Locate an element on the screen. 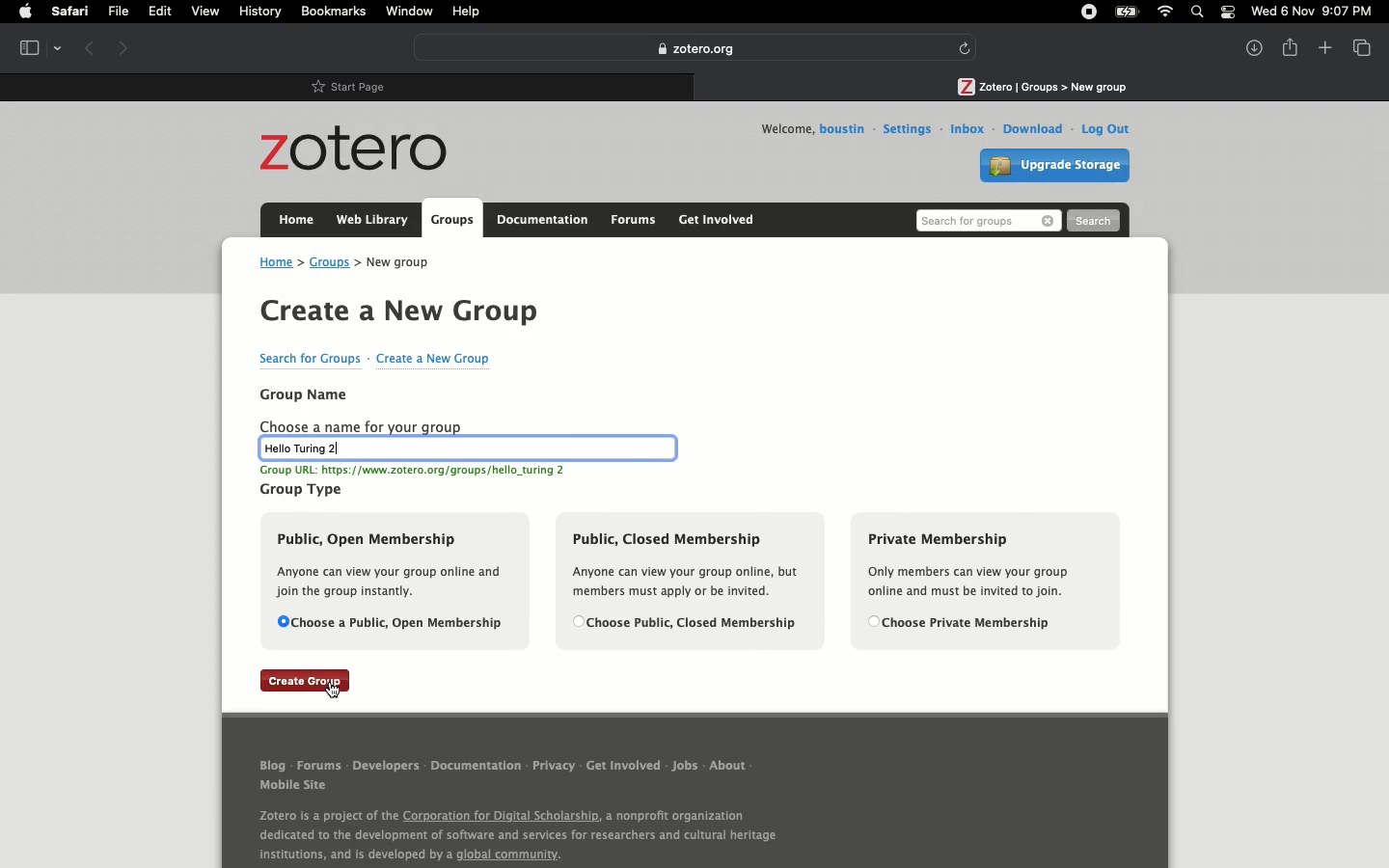 Image resolution: width=1389 pixels, height=868 pixels. Create a new group is located at coordinates (434, 358).